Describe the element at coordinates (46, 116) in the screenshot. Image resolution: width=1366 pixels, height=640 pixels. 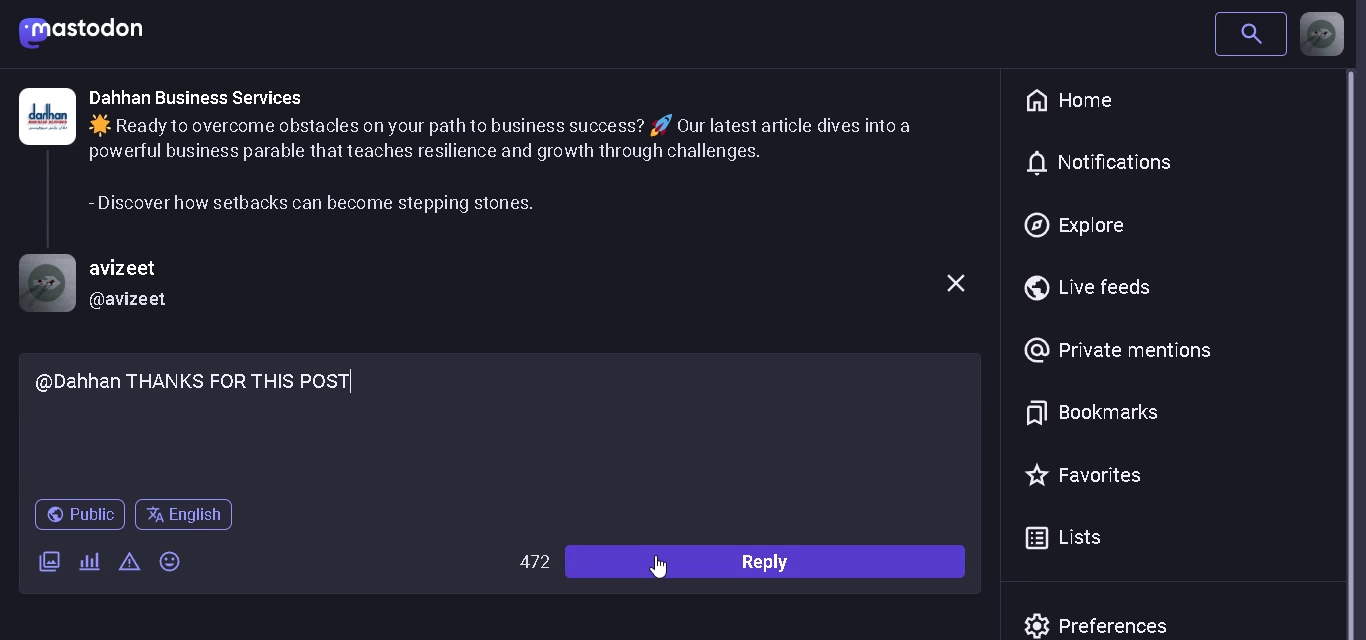
I see `Logo` at that location.